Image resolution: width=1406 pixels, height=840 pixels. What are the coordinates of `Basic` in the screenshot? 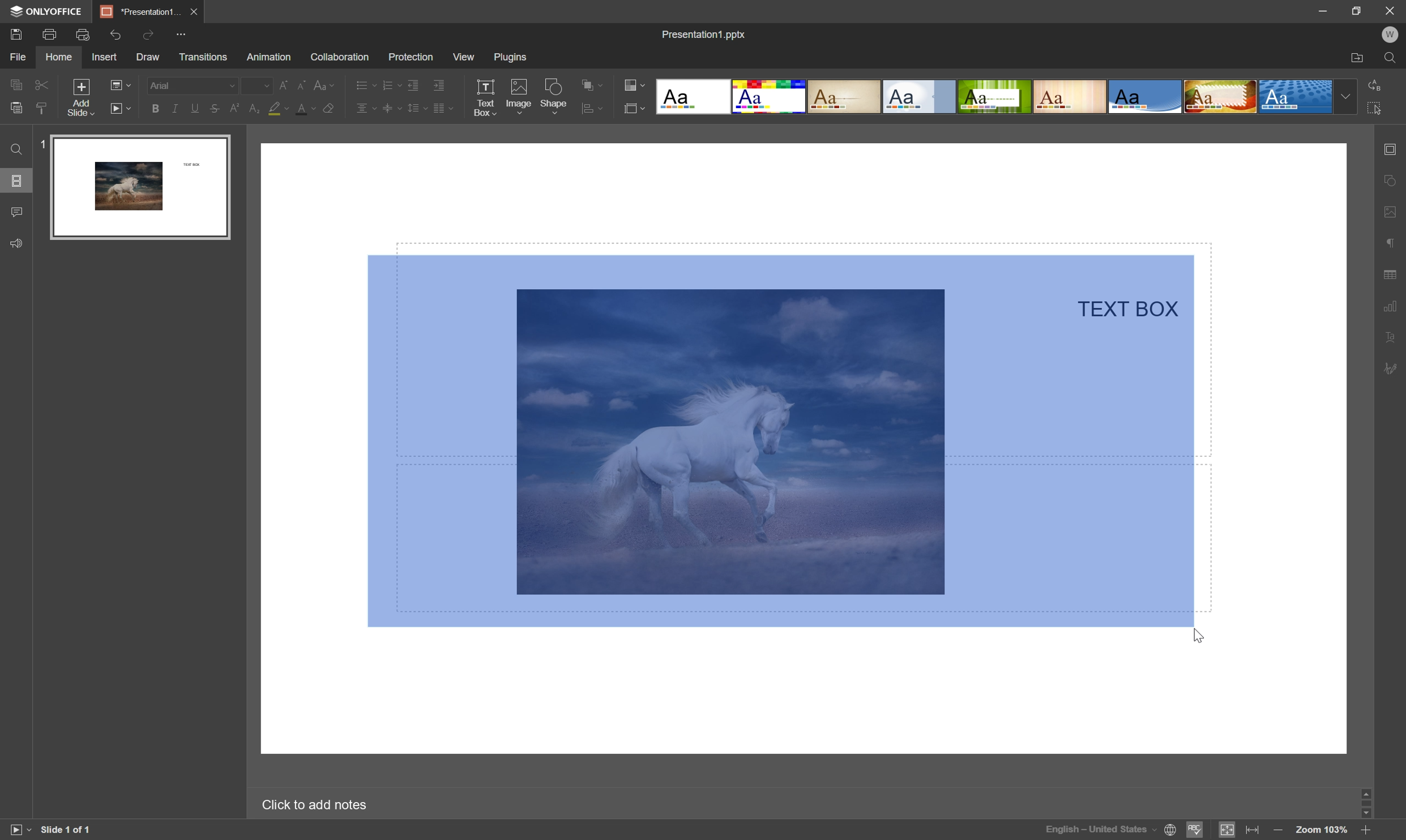 It's located at (770, 97).